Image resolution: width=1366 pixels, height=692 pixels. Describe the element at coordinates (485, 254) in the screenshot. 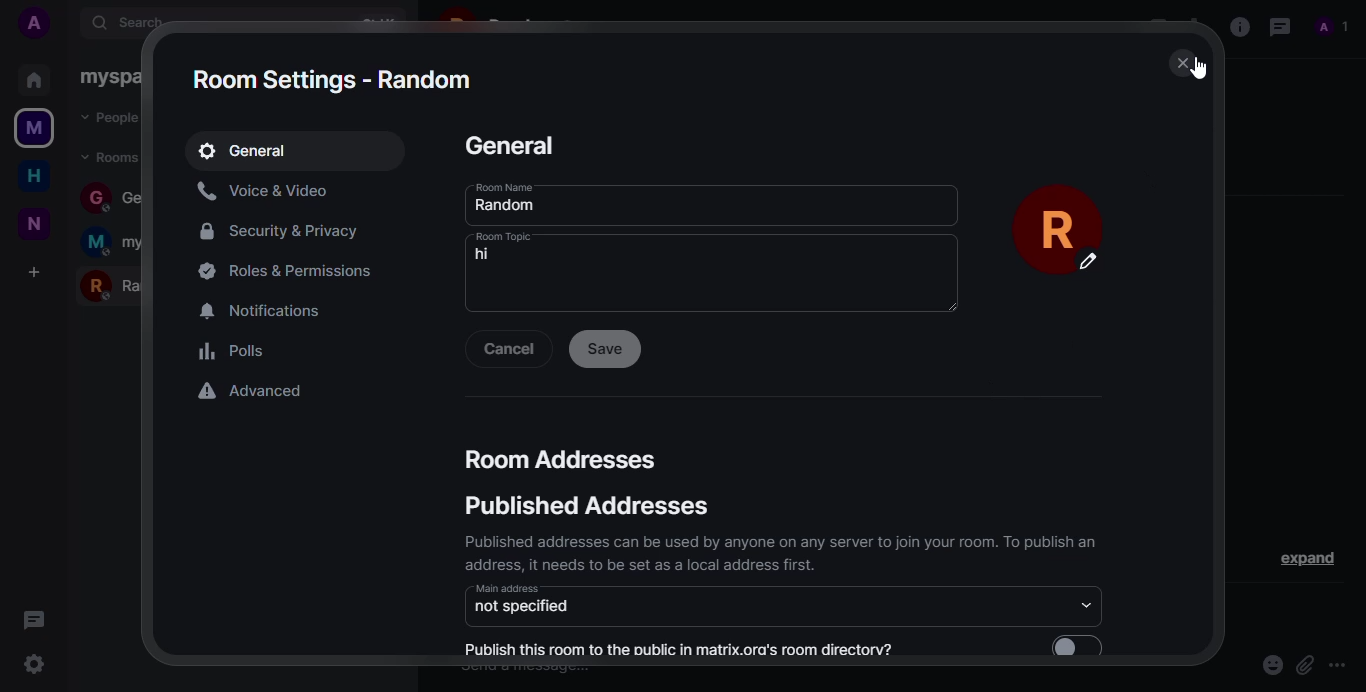

I see `hi` at that location.